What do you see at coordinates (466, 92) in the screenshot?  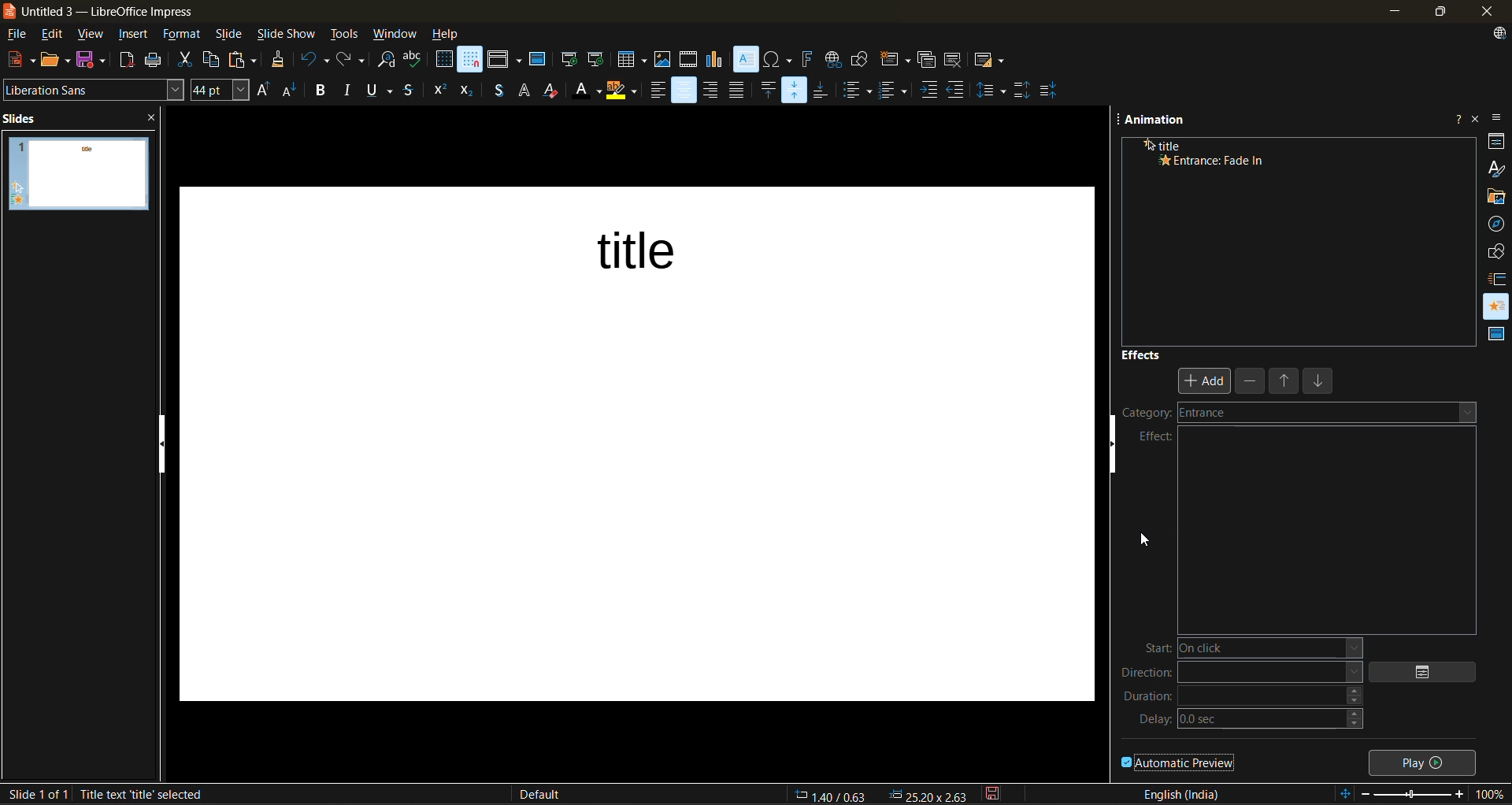 I see `subscript` at bounding box center [466, 92].